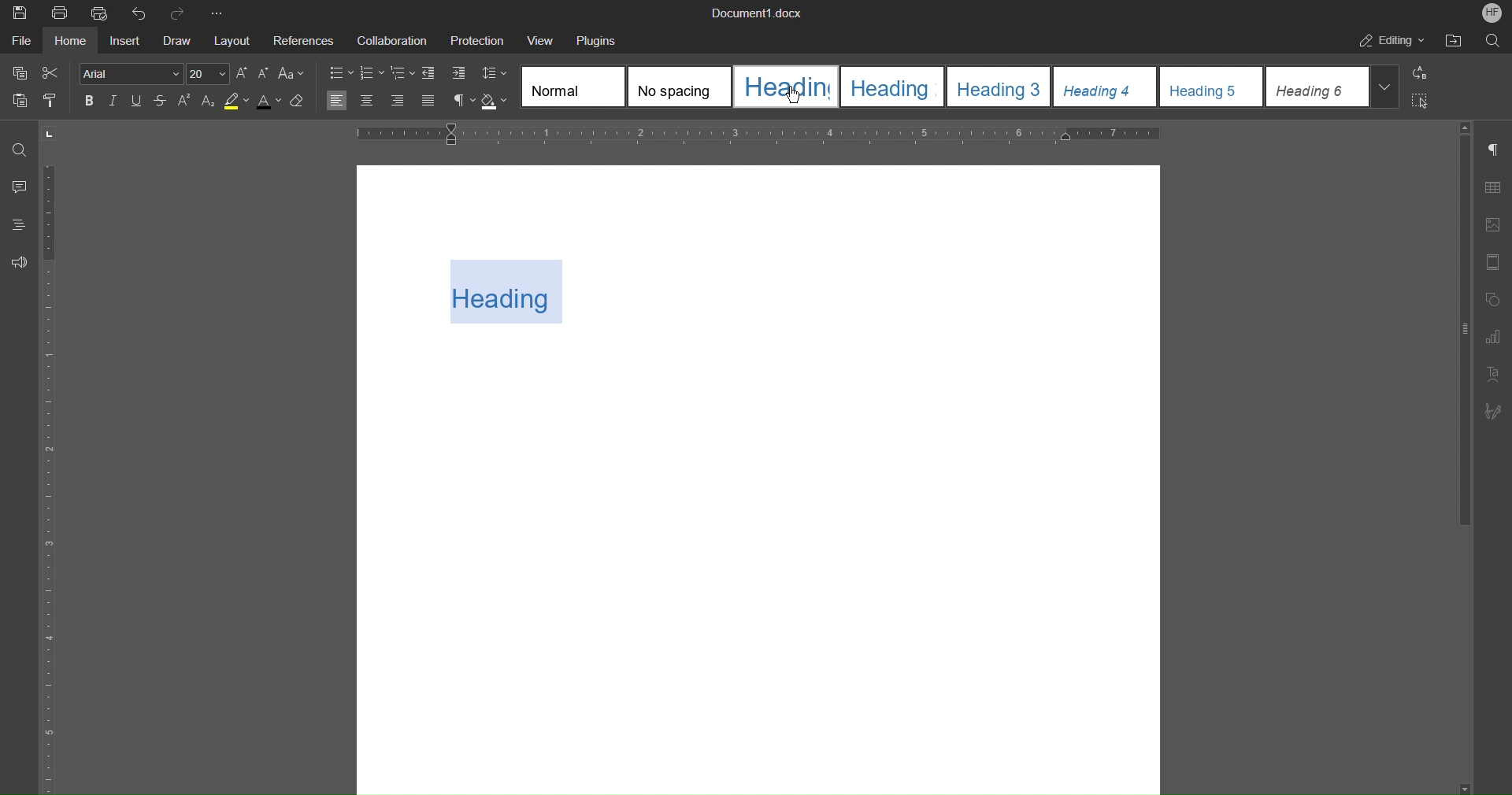 The height and width of the screenshot is (795, 1512). I want to click on Bold, so click(91, 102).